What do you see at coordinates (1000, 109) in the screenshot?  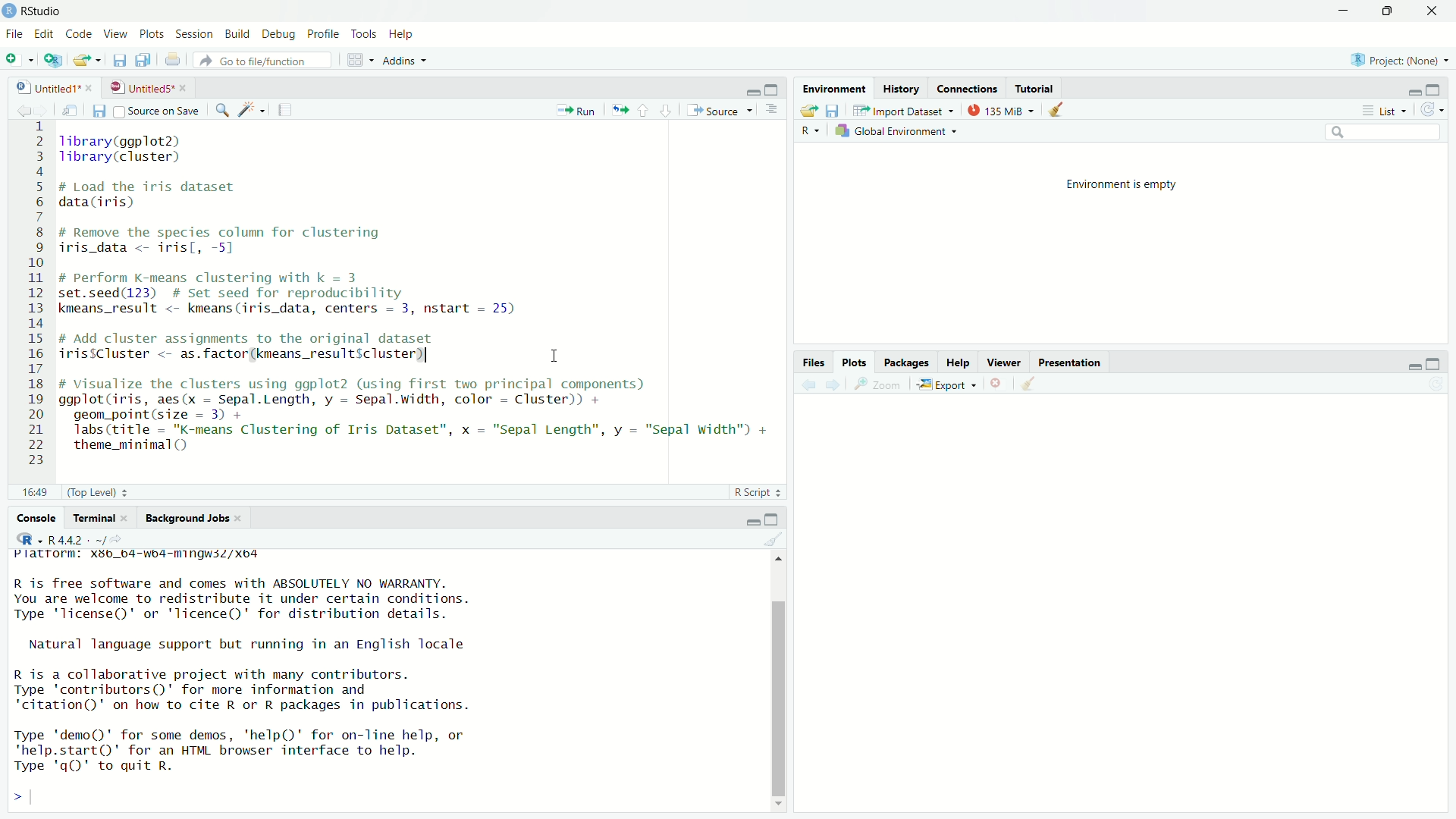 I see `135 MiB` at bounding box center [1000, 109].